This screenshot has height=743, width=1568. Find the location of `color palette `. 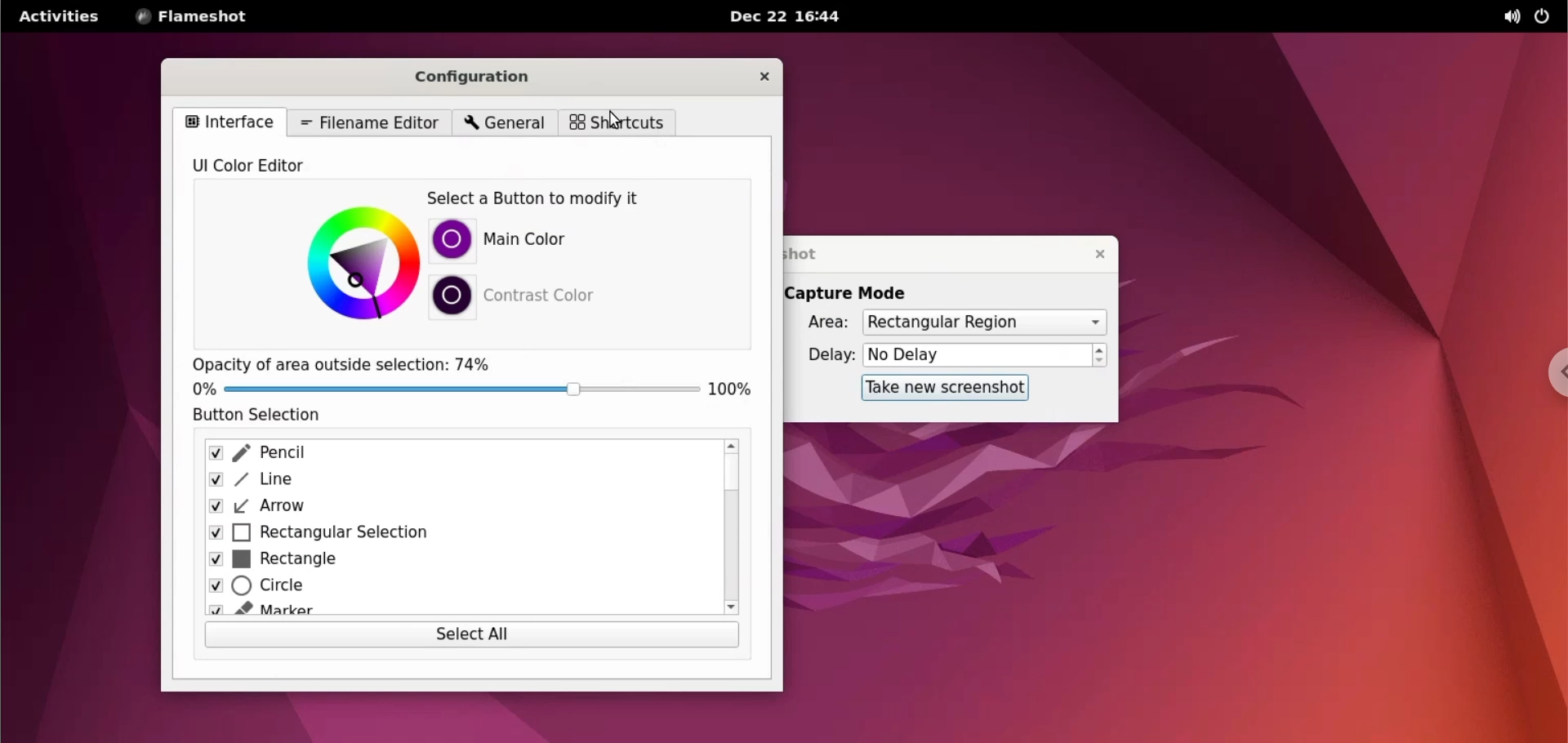

color palette  is located at coordinates (364, 267).